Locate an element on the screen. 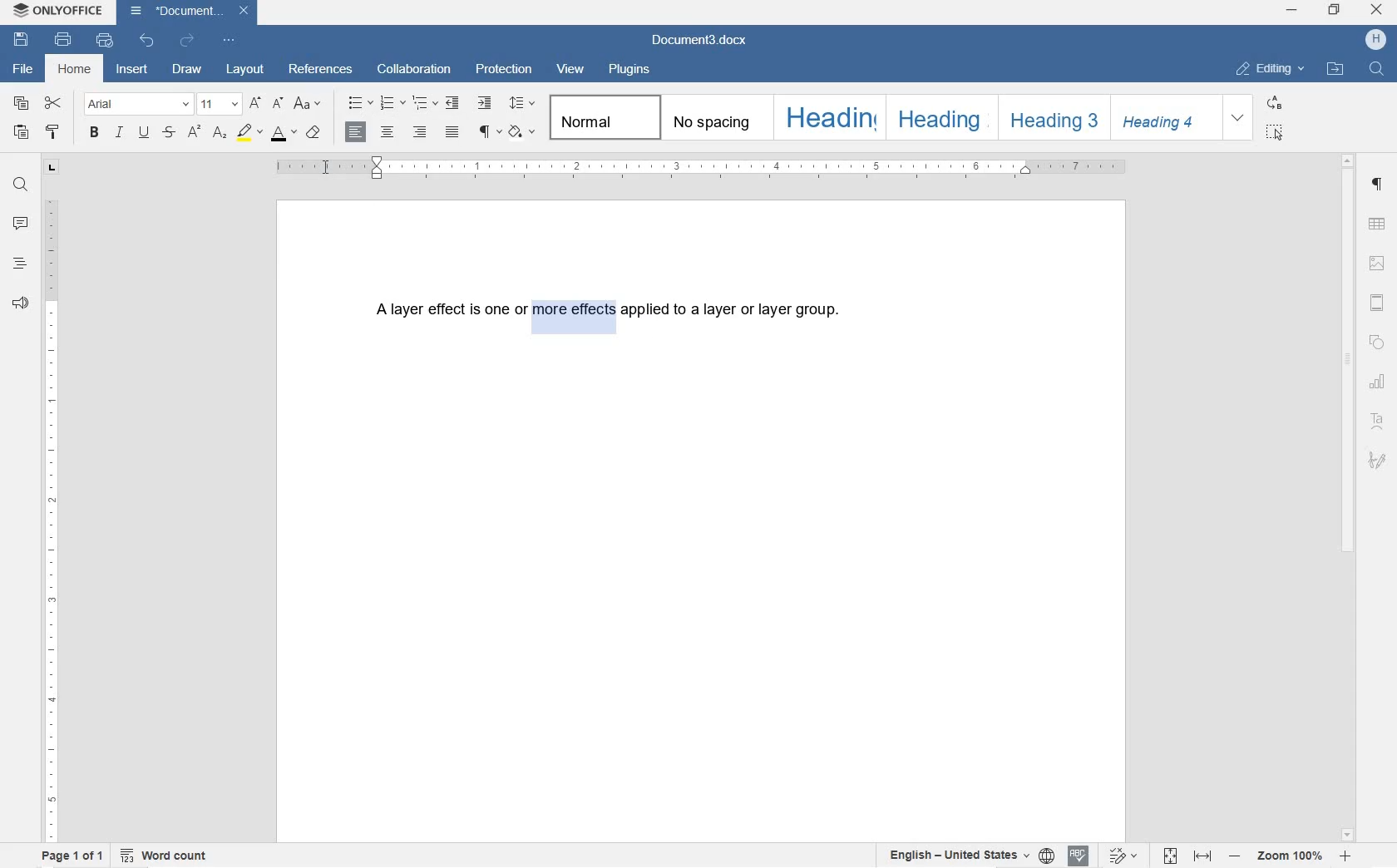 The height and width of the screenshot is (868, 1397). STRIKETHROUGH is located at coordinates (167, 133).